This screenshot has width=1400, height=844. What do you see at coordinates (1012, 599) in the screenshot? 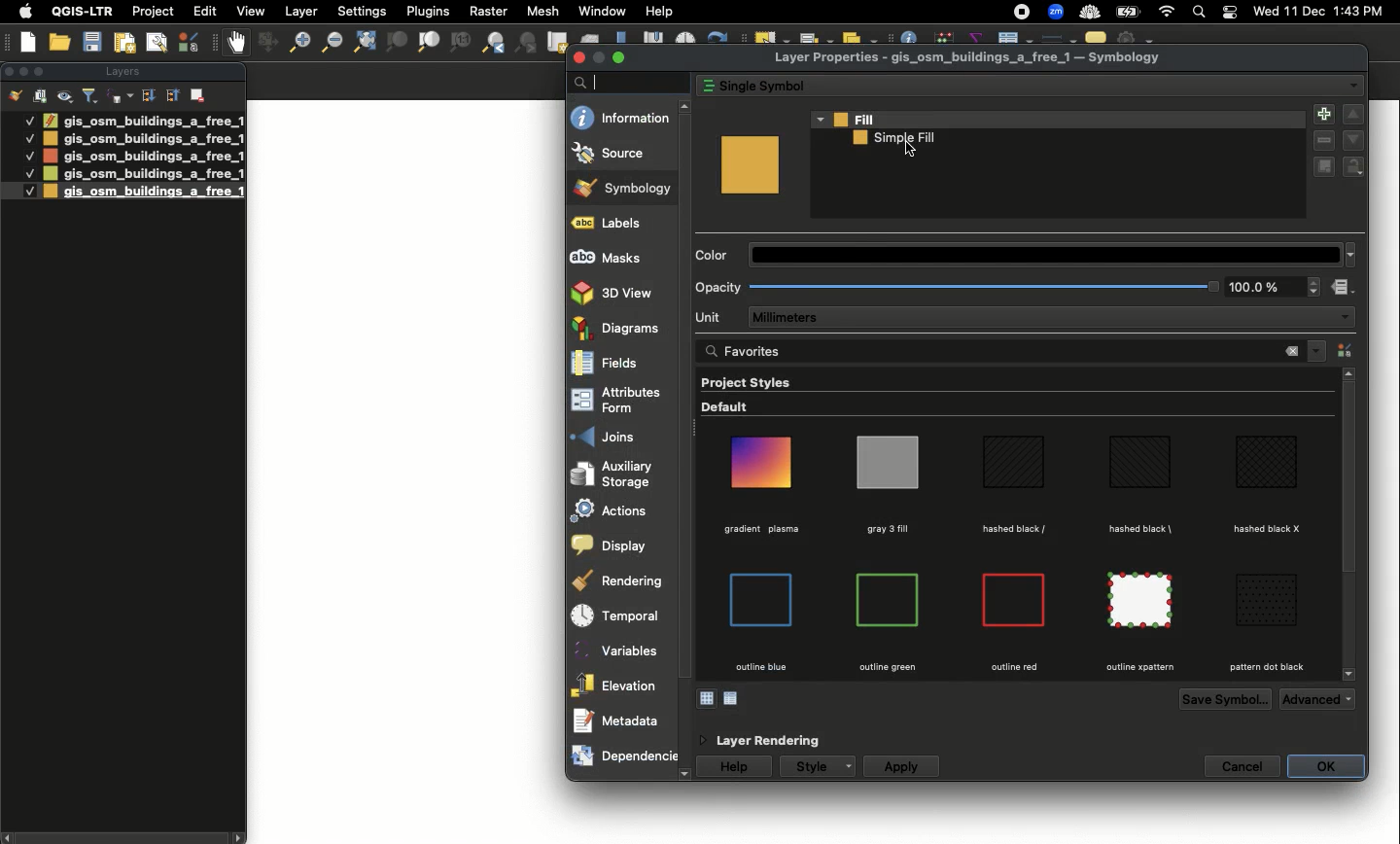
I see `` at bounding box center [1012, 599].